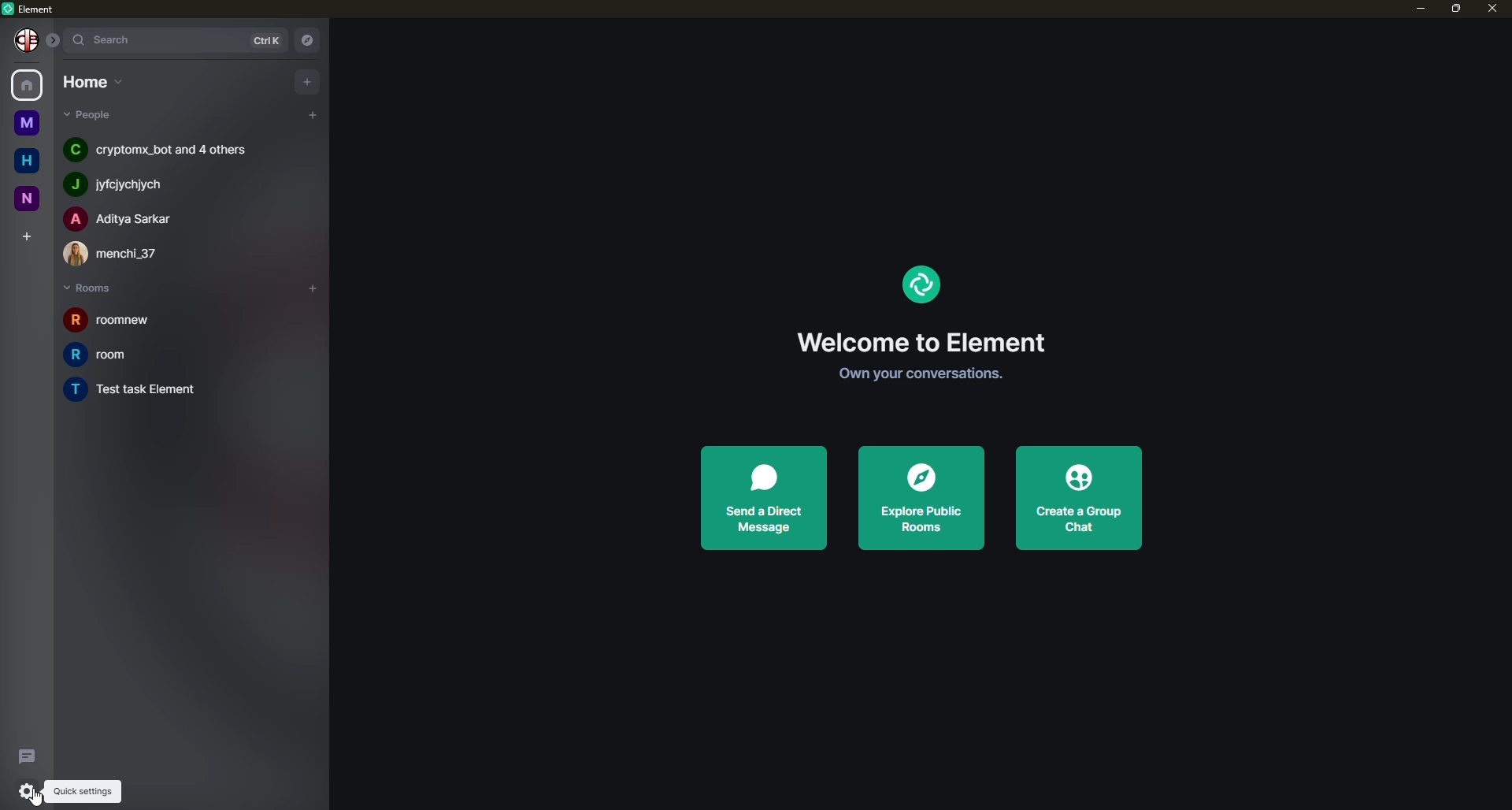 The height and width of the screenshot is (810, 1512). Describe the element at coordinates (310, 113) in the screenshot. I see `add` at that location.